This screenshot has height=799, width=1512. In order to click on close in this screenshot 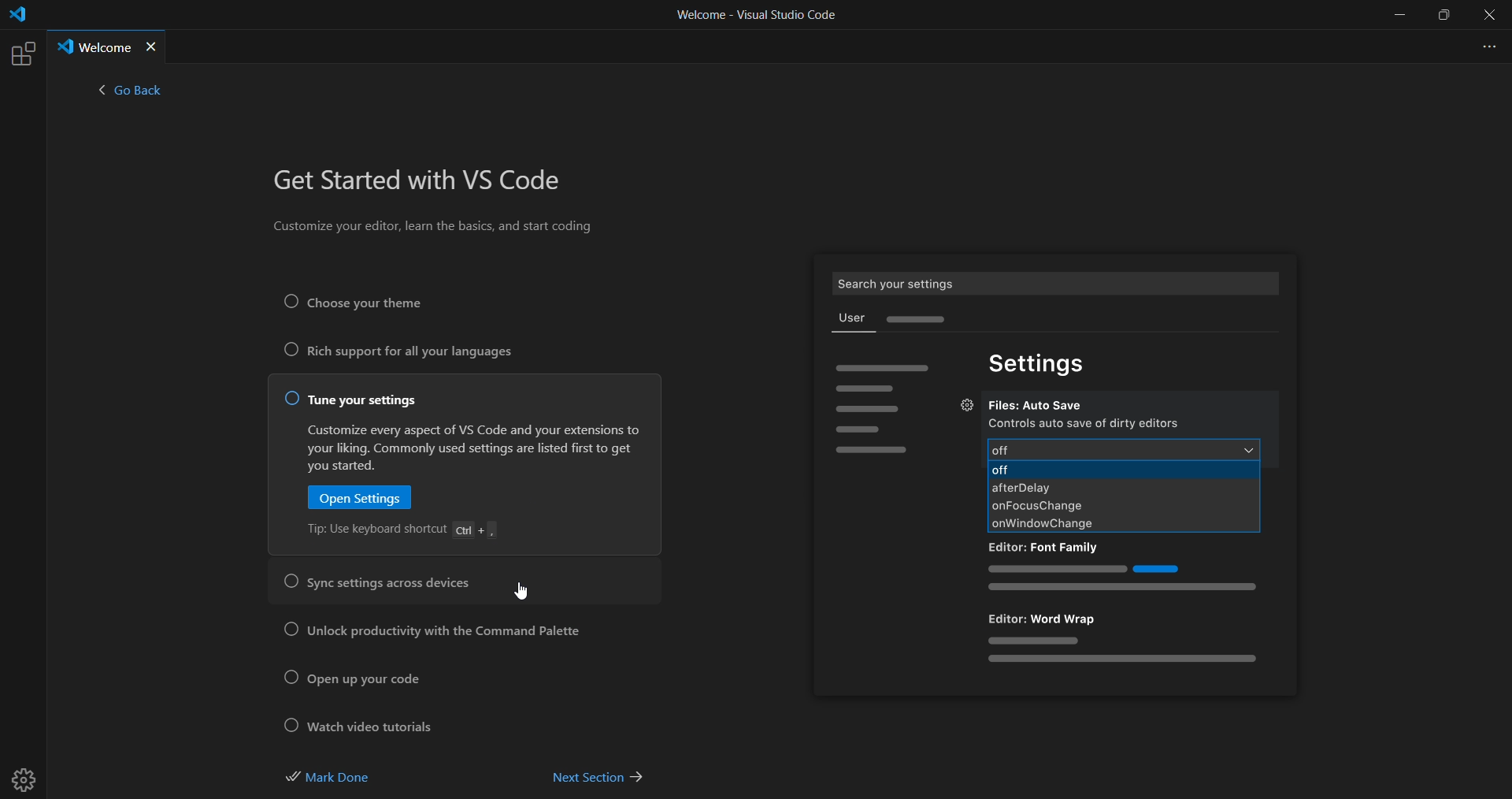, I will do `click(1490, 16)`.